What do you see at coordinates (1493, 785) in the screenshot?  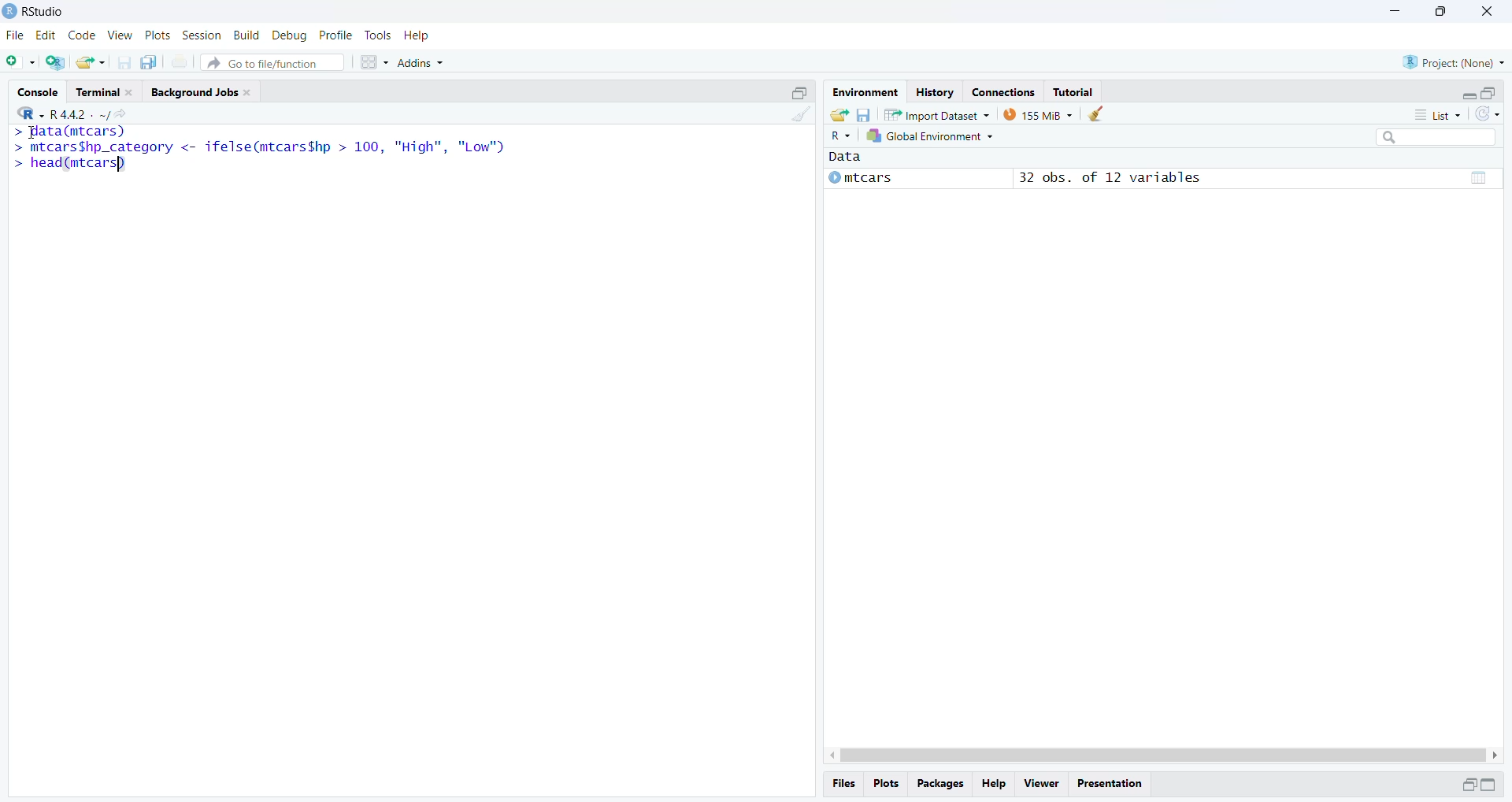 I see `Maximize` at bounding box center [1493, 785].